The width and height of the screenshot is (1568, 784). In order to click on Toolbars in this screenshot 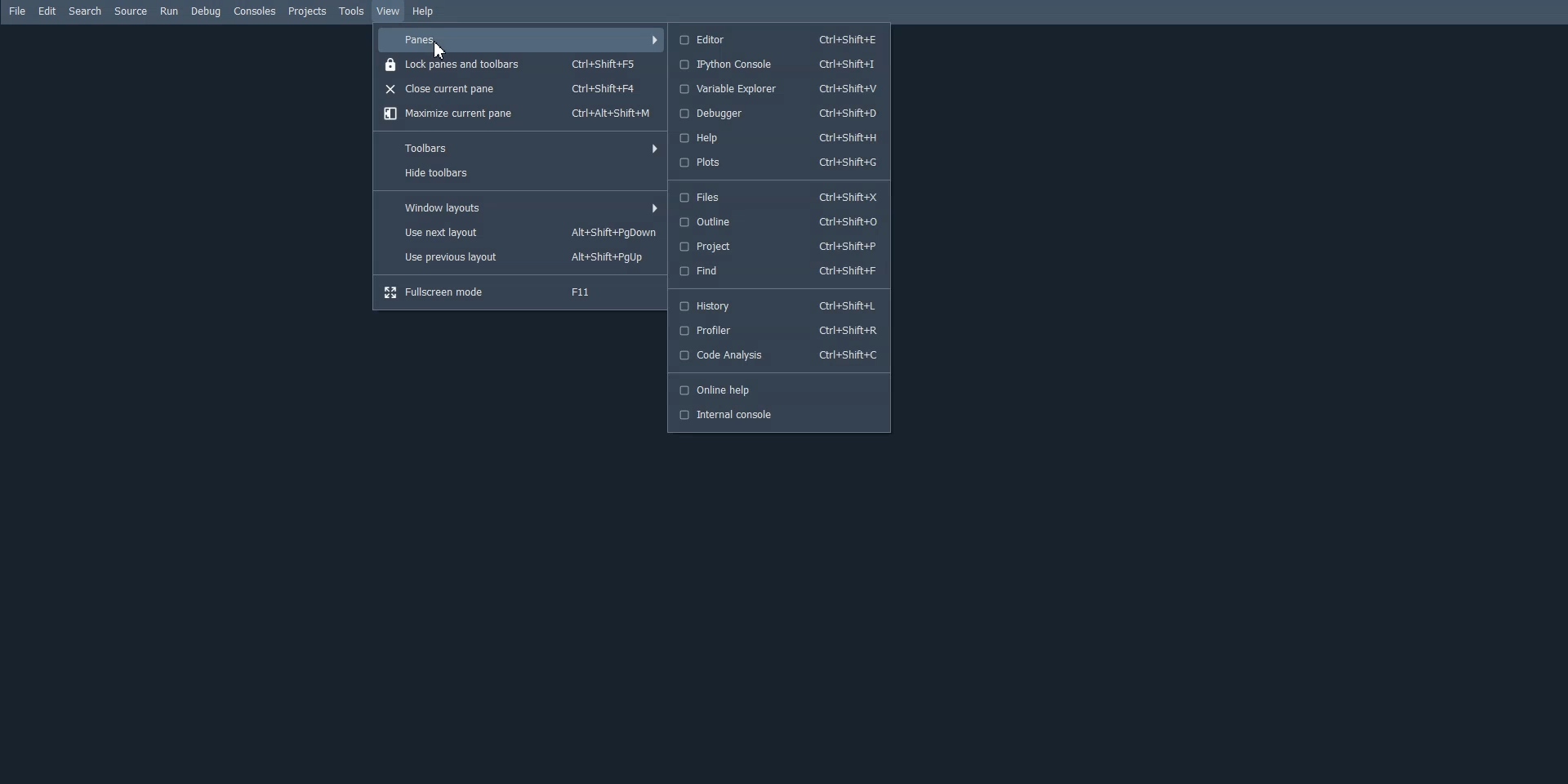, I will do `click(521, 145)`.